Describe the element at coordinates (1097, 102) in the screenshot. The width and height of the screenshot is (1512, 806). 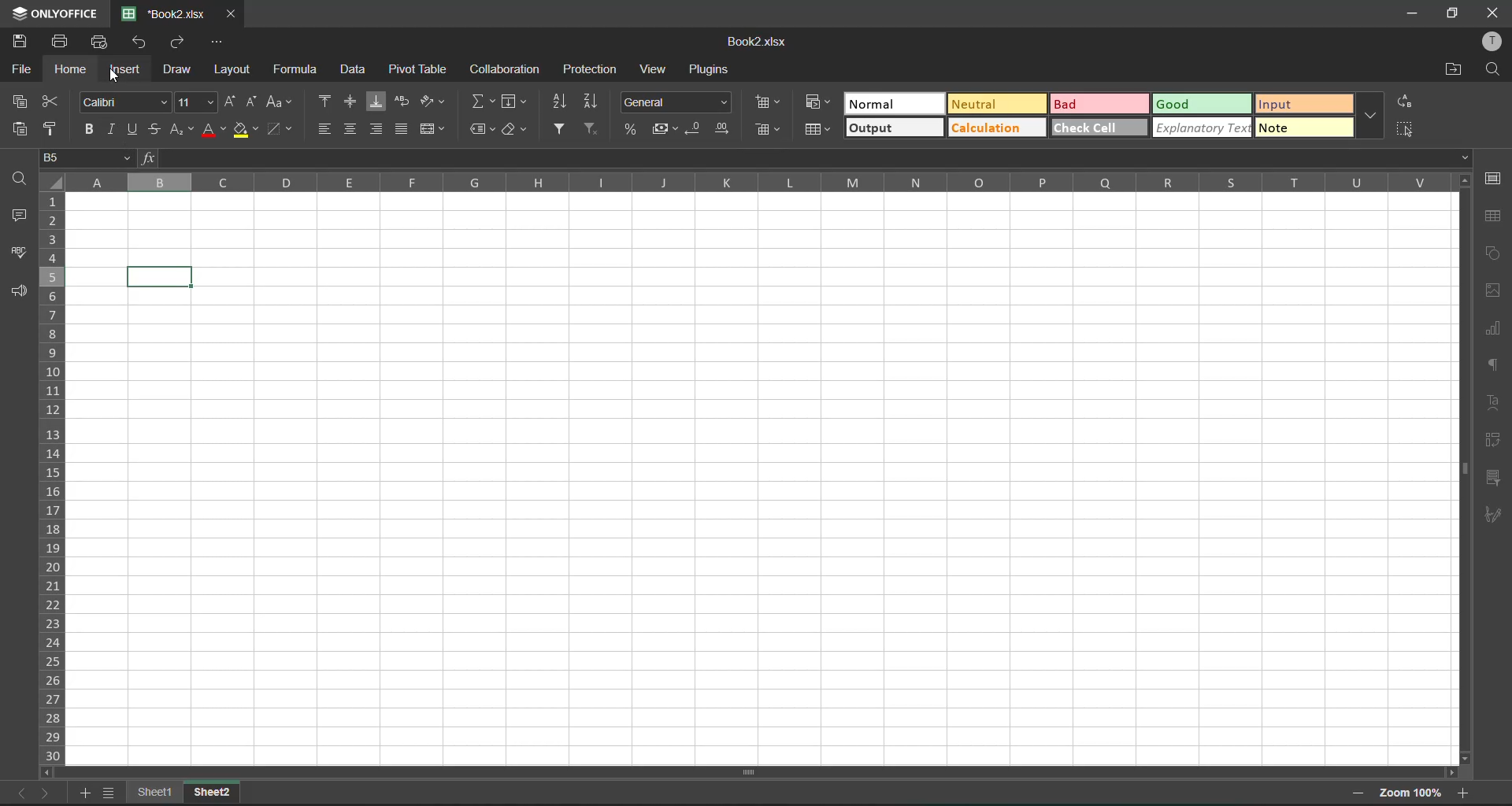
I see `bad` at that location.